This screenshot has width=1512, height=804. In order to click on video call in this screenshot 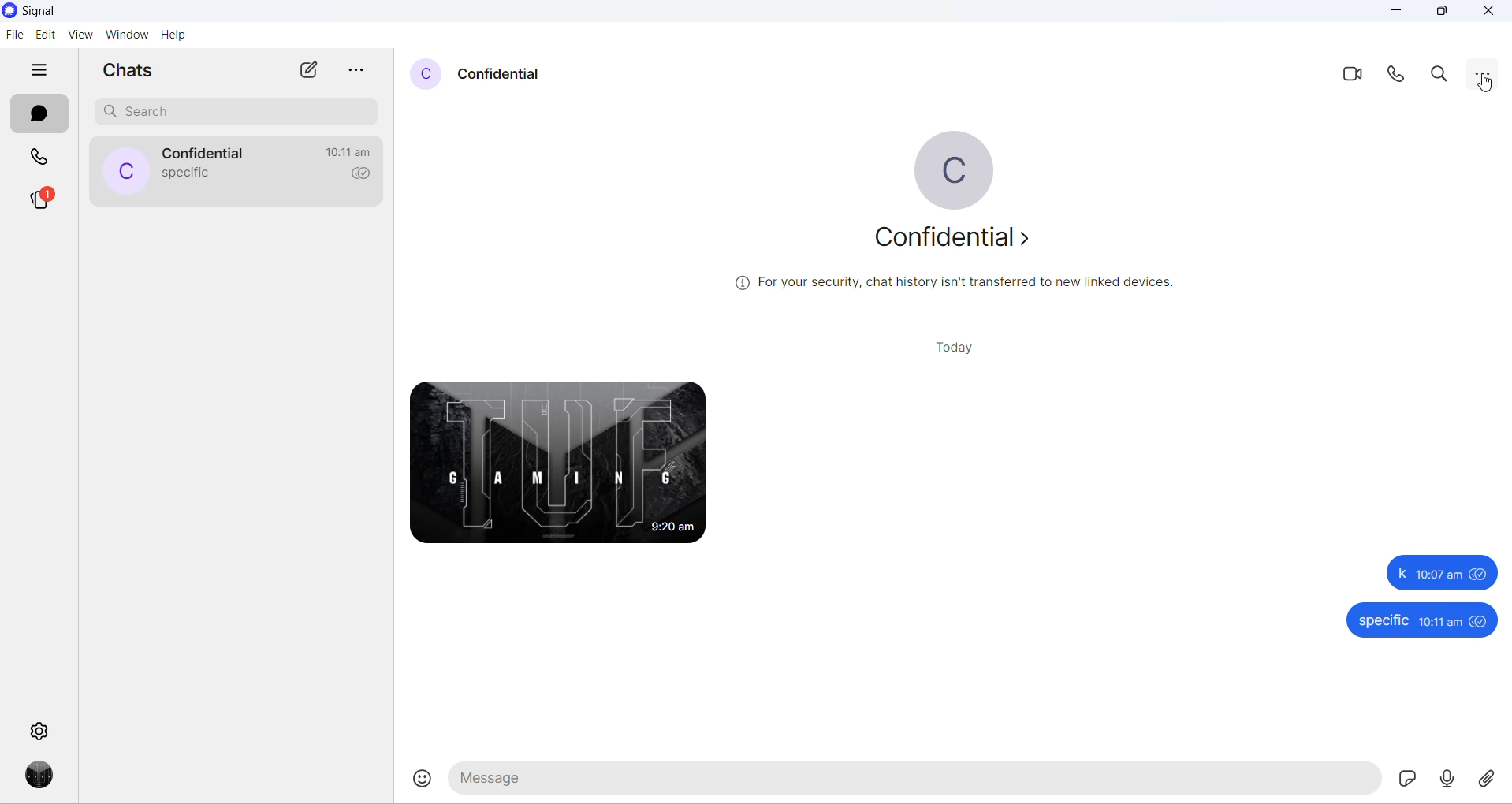, I will do `click(1357, 77)`.